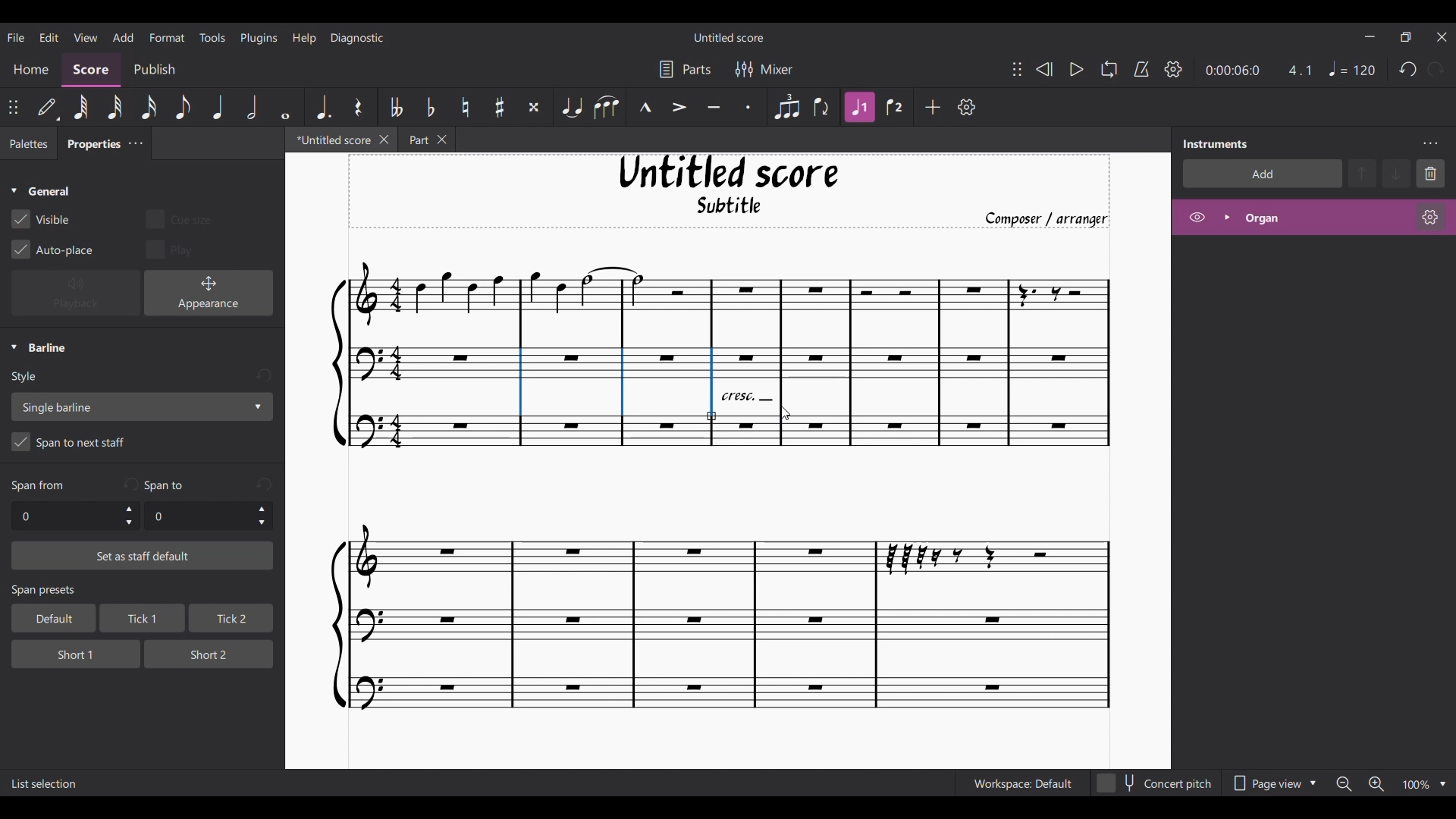  What do you see at coordinates (1226, 217) in the screenshot?
I see `Expand Organ` at bounding box center [1226, 217].